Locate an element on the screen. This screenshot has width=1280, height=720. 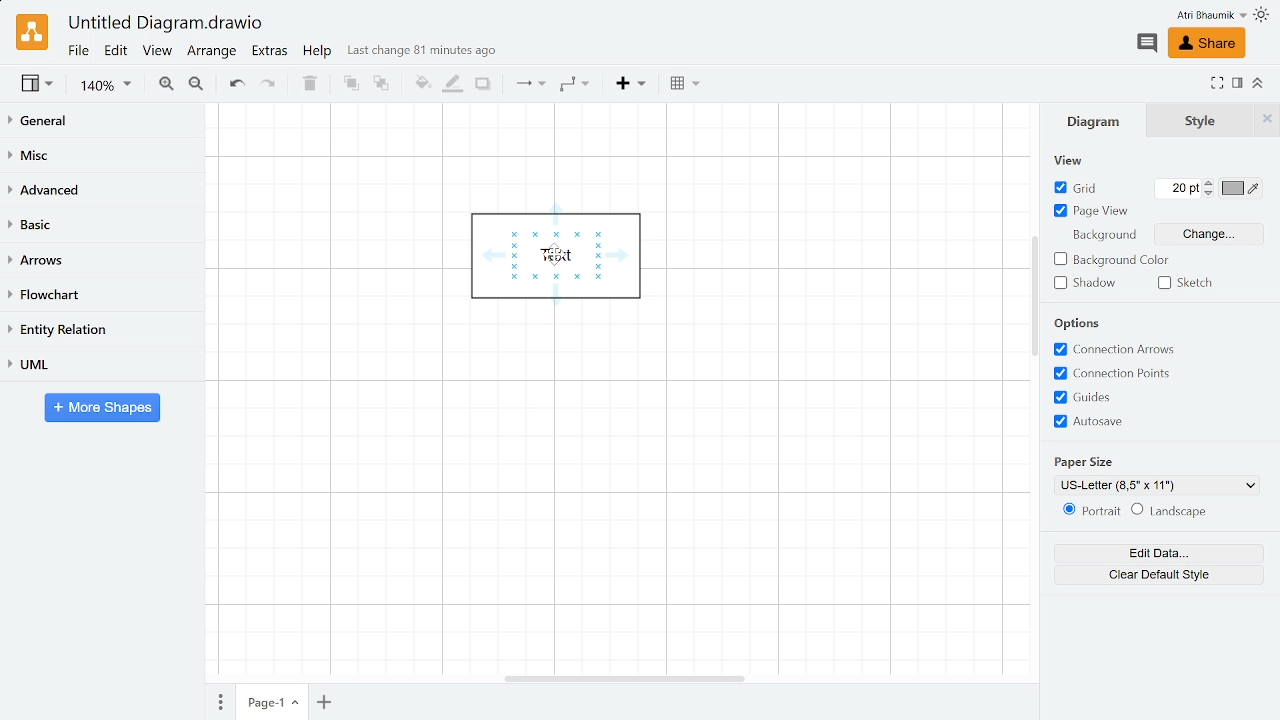
Vertical scrollbar is located at coordinates (1035, 299).